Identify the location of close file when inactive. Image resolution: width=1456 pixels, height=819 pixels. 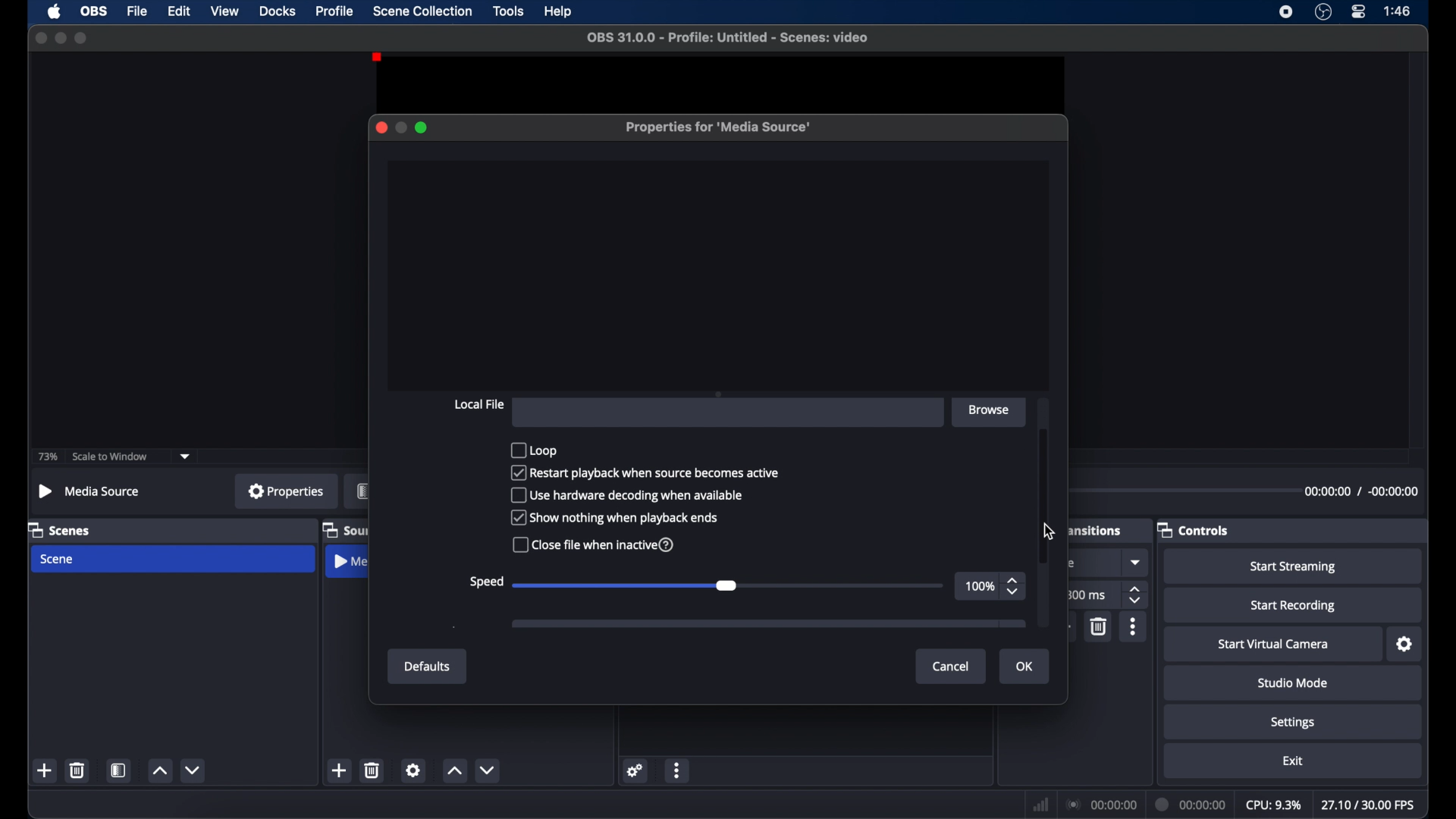
(595, 544).